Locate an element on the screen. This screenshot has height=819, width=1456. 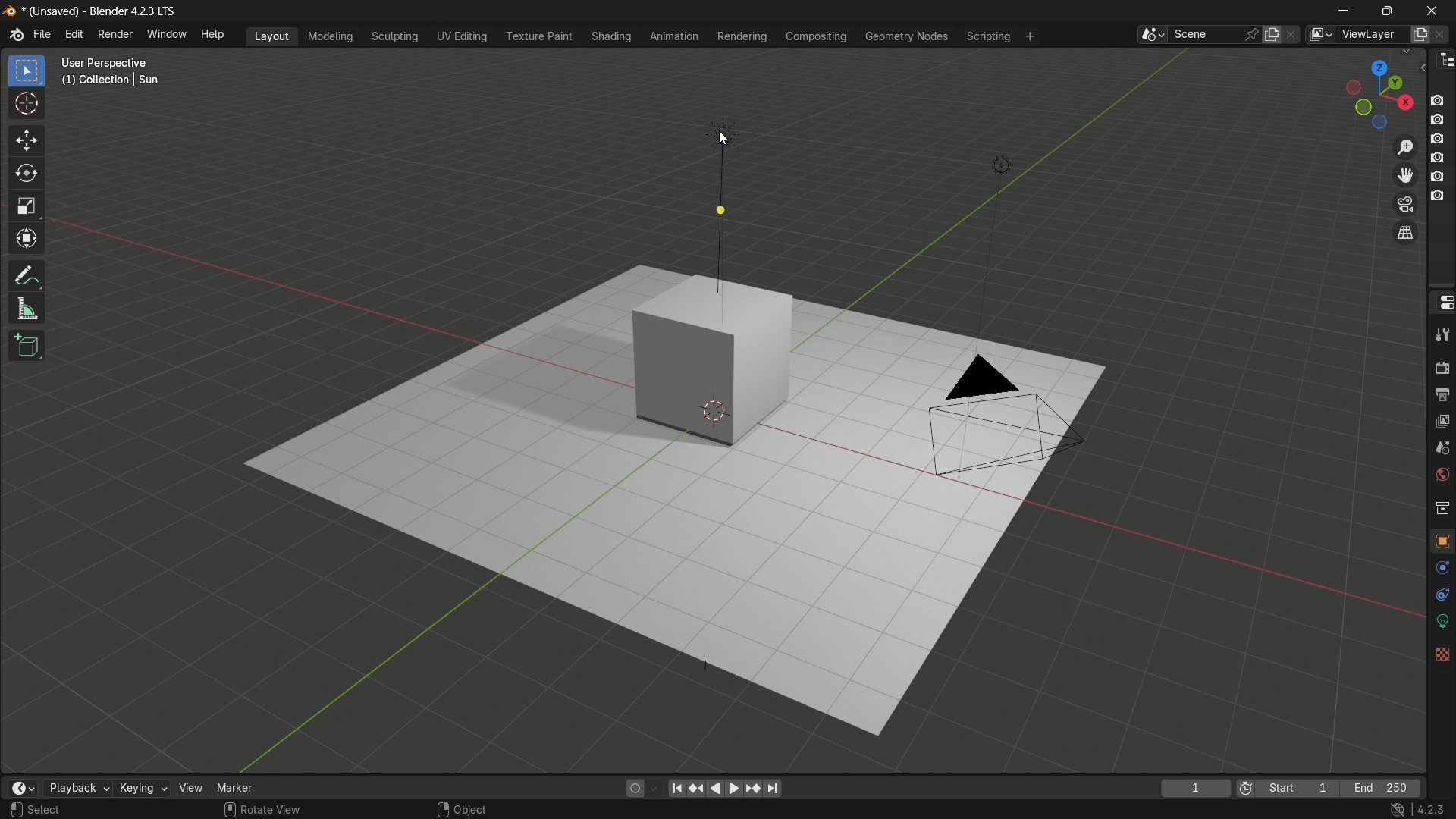
layer 5 is located at coordinates (1437, 177).